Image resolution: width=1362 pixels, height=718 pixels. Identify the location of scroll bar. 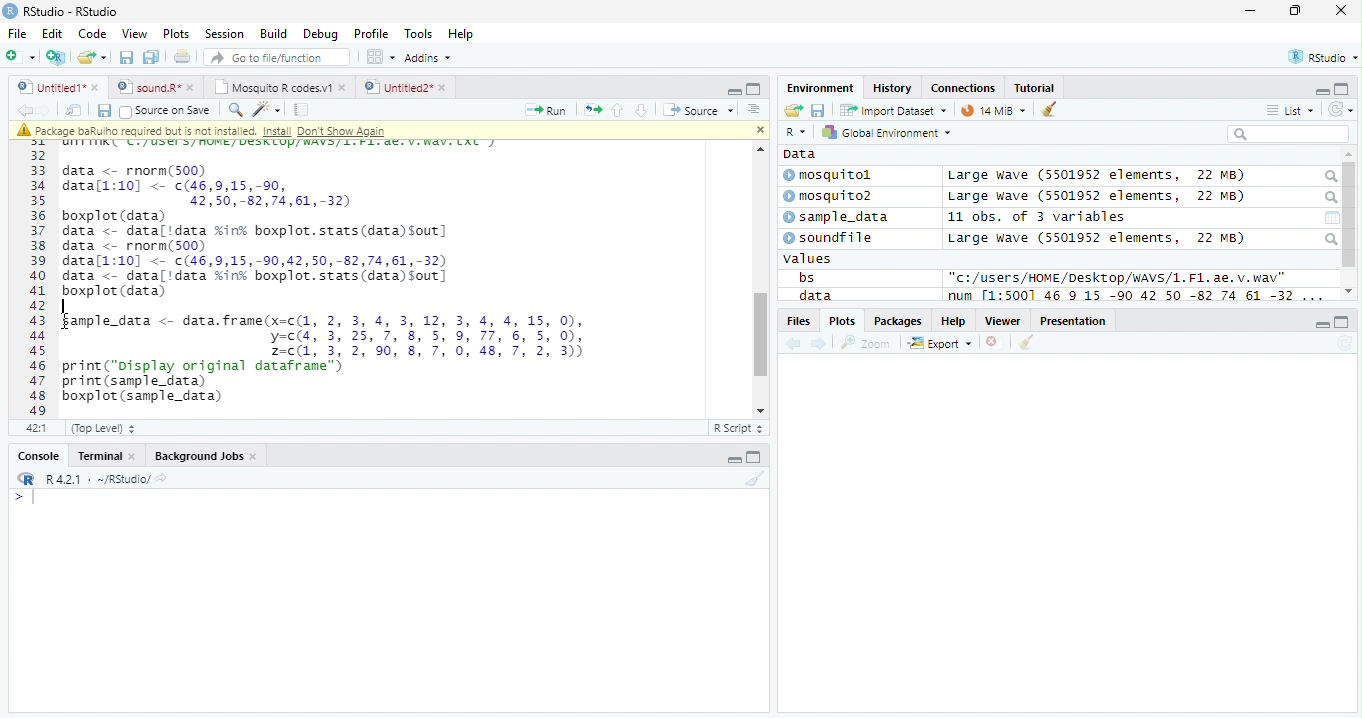
(759, 335).